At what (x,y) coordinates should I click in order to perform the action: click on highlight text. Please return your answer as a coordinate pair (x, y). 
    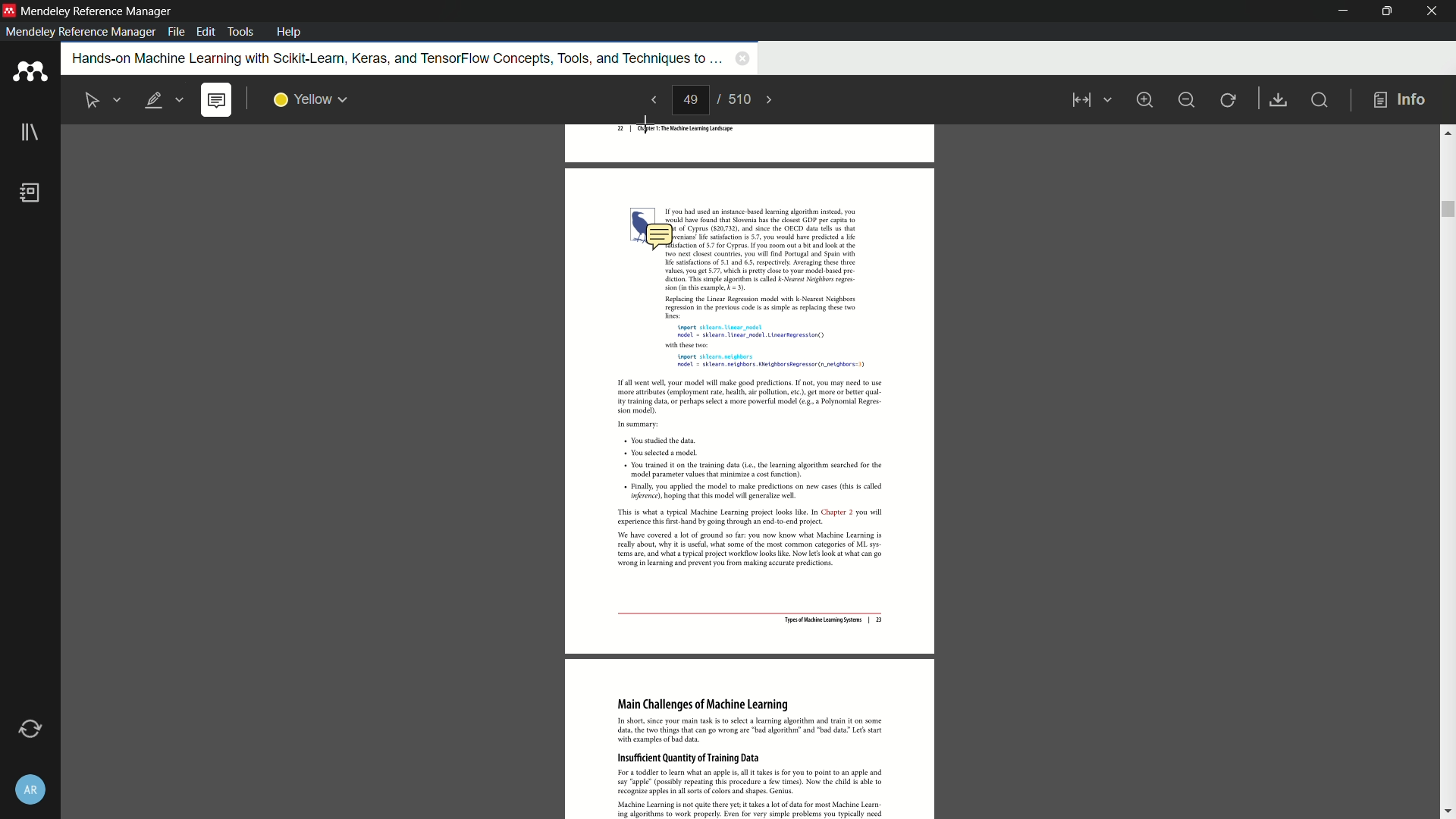
    Looking at the image, I should click on (165, 100).